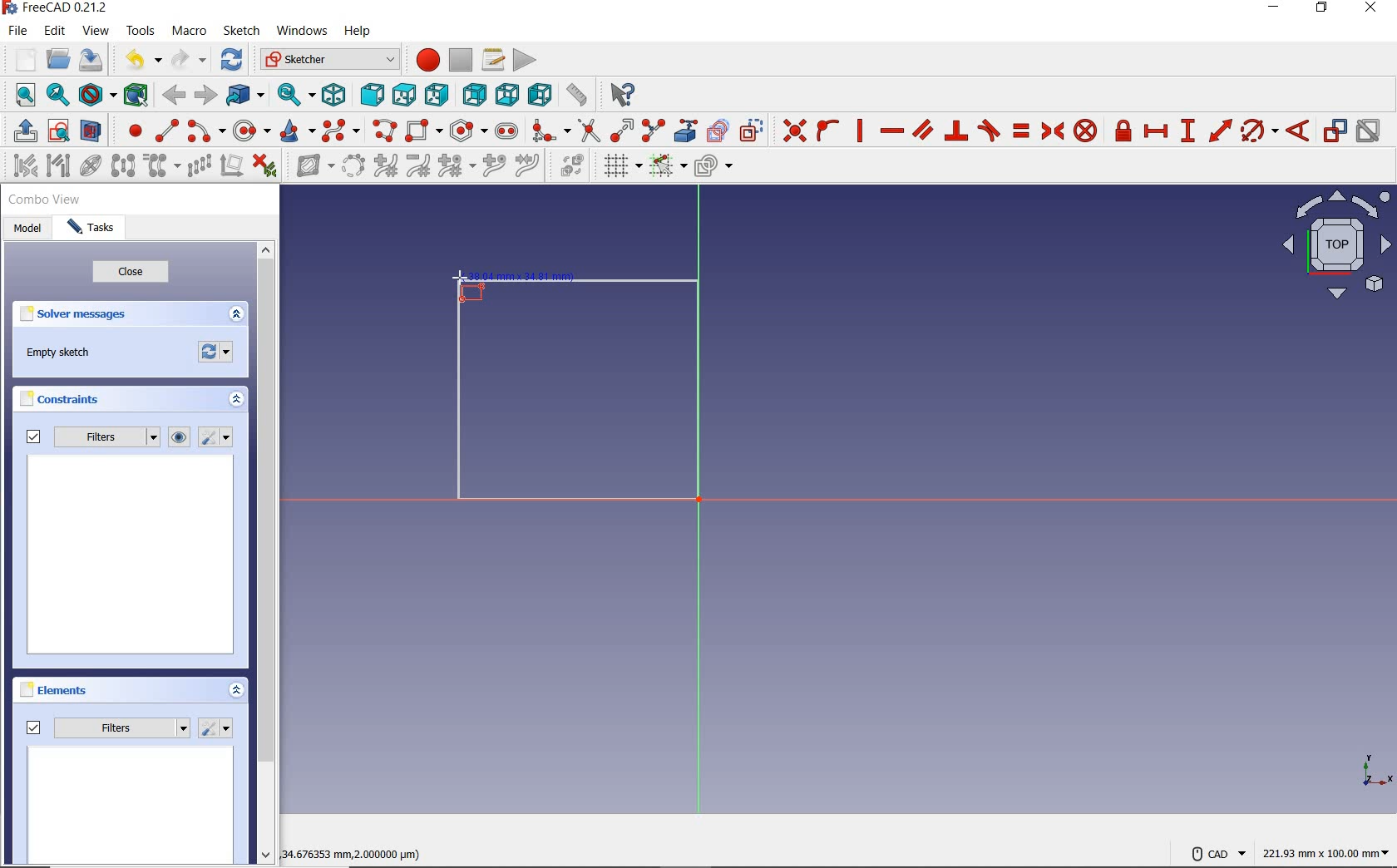 This screenshot has height=868, width=1397. Describe the element at coordinates (792, 129) in the screenshot. I see `constrain coincident` at that location.